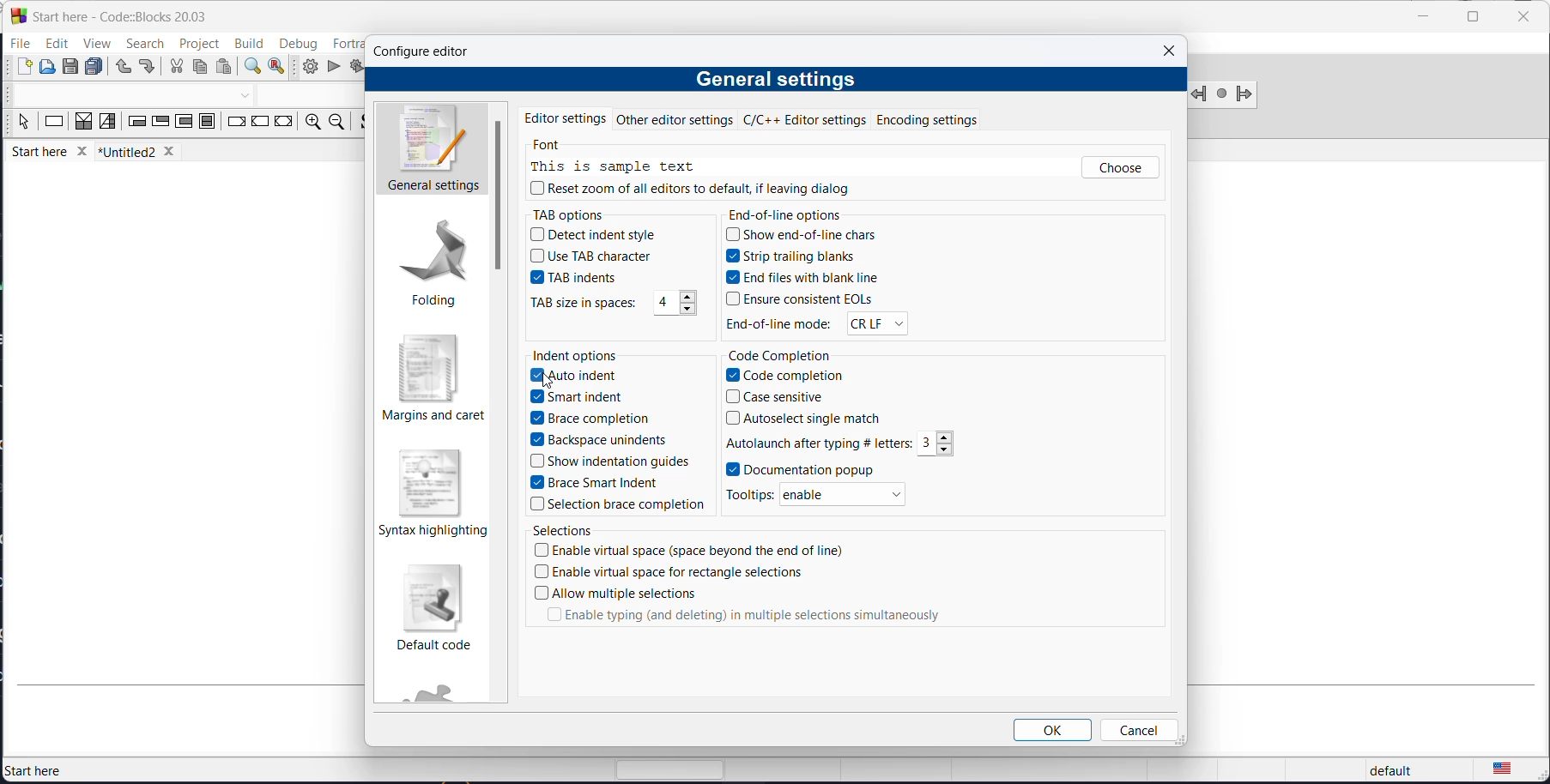 Image resolution: width=1550 pixels, height=784 pixels. I want to click on open, so click(49, 69).